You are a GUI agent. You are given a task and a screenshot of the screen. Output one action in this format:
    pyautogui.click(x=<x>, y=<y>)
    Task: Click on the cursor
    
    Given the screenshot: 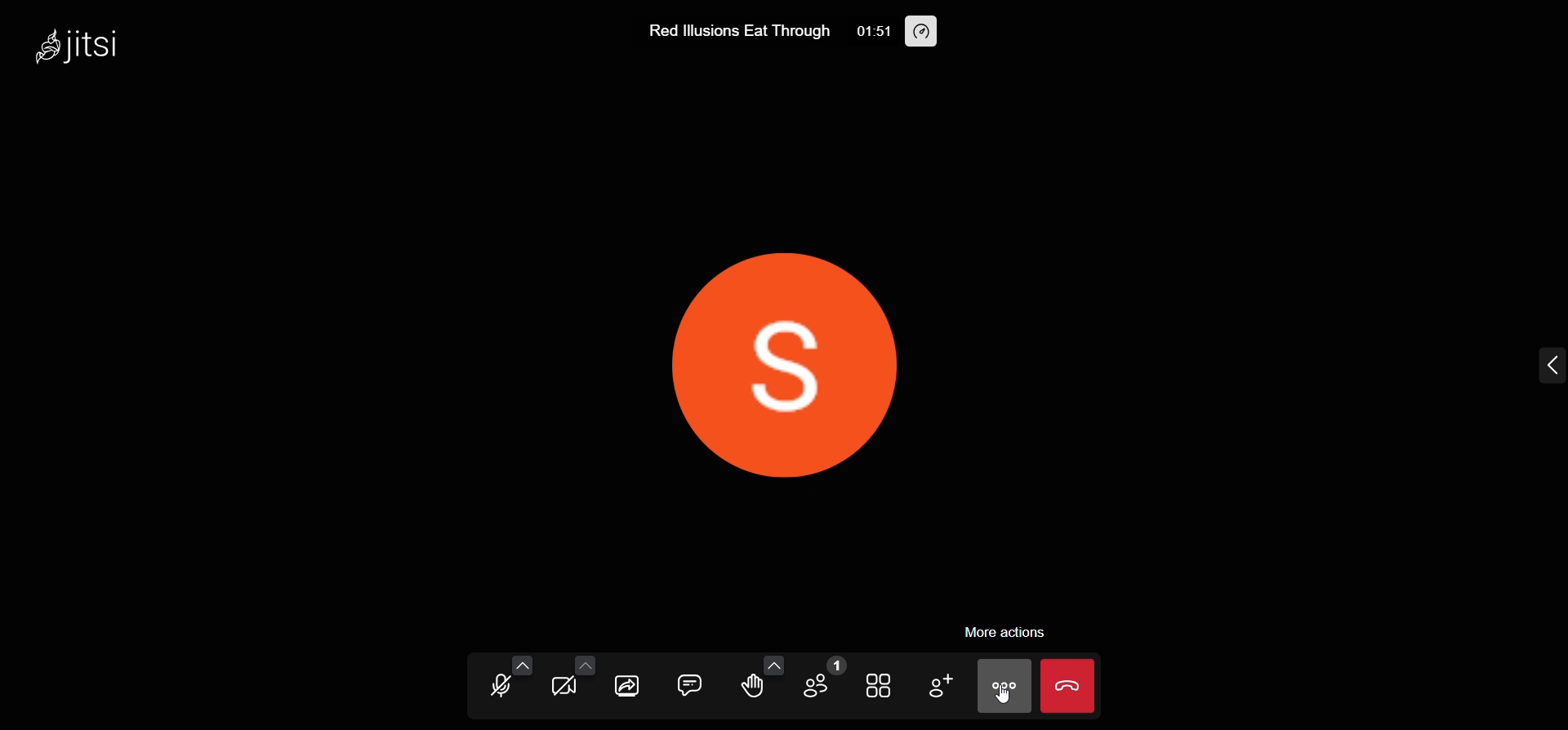 What is the action you would take?
    pyautogui.click(x=1009, y=701)
    